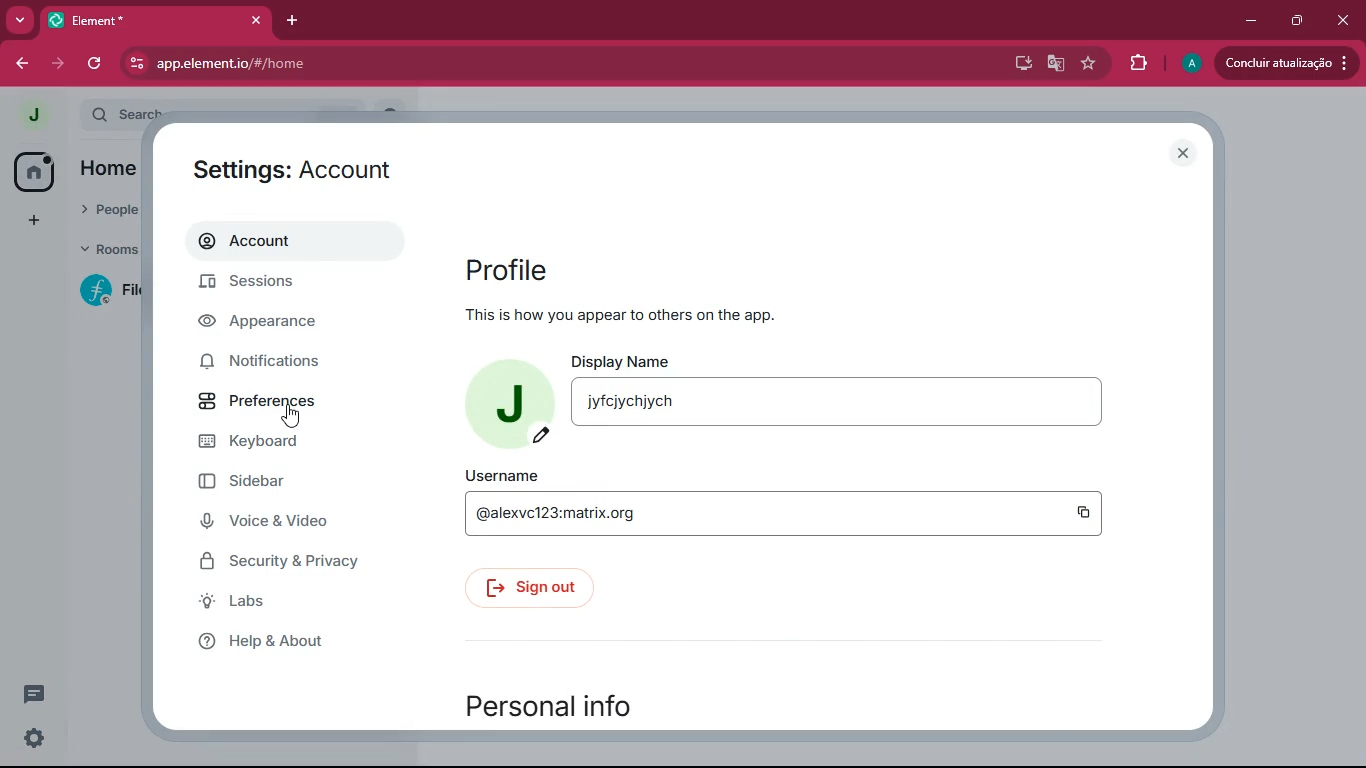 The width and height of the screenshot is (1366, 768). Describe the element at coordinates (533, 587) in the screenshot. I see `sign out` at that location.